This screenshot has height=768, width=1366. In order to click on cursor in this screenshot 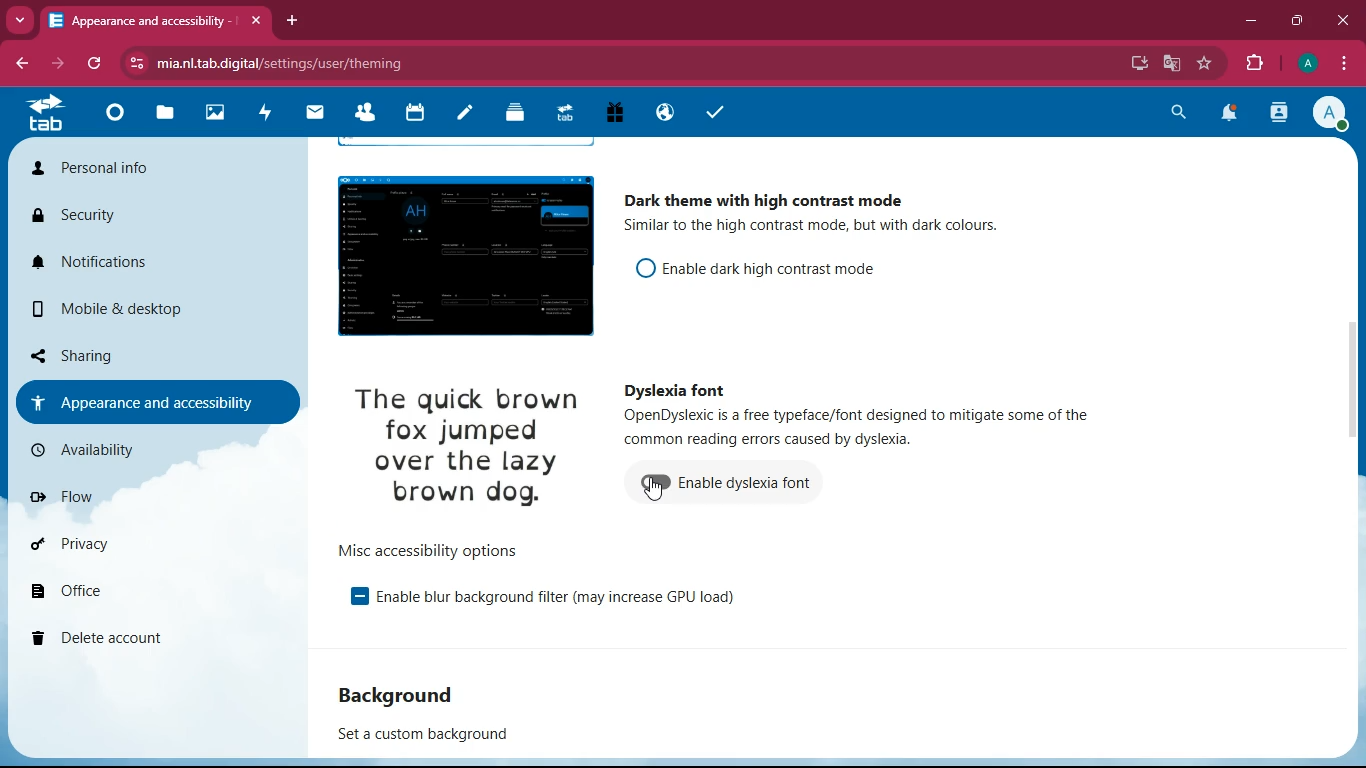, I will do `click(657, 491)`.